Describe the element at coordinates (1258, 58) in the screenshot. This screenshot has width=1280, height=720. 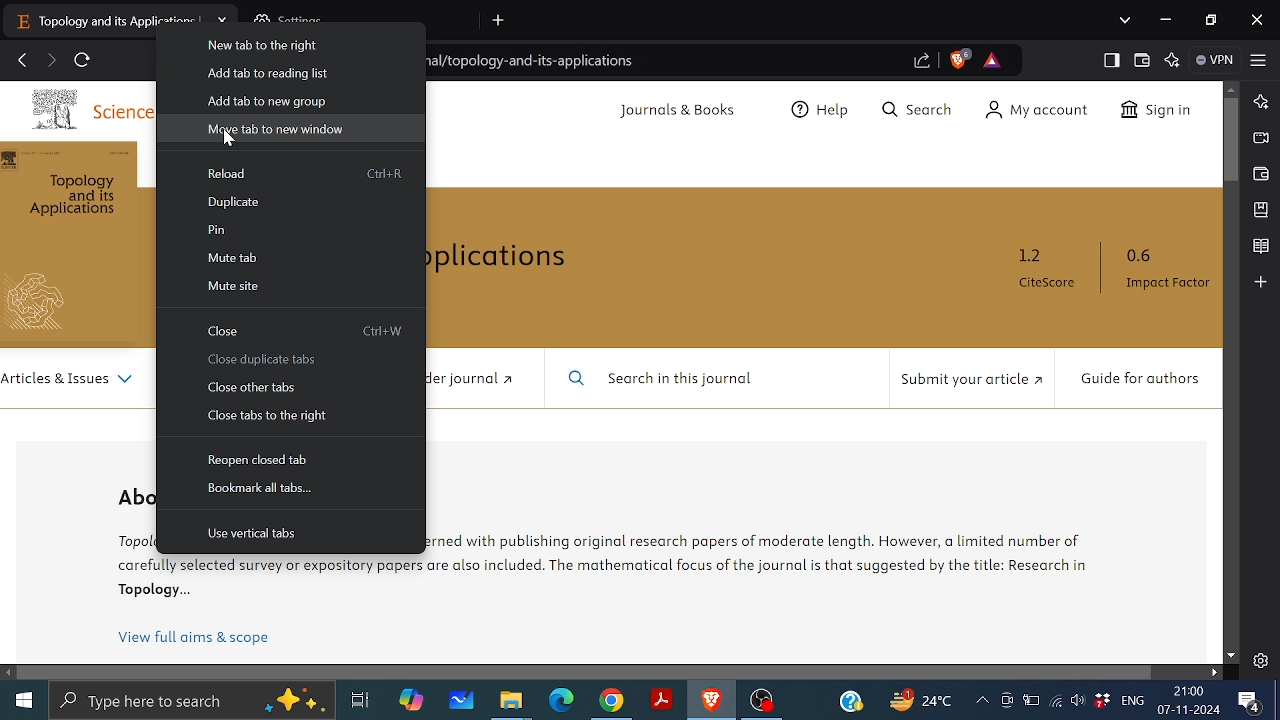
I see `Customize and control brave` at that location.